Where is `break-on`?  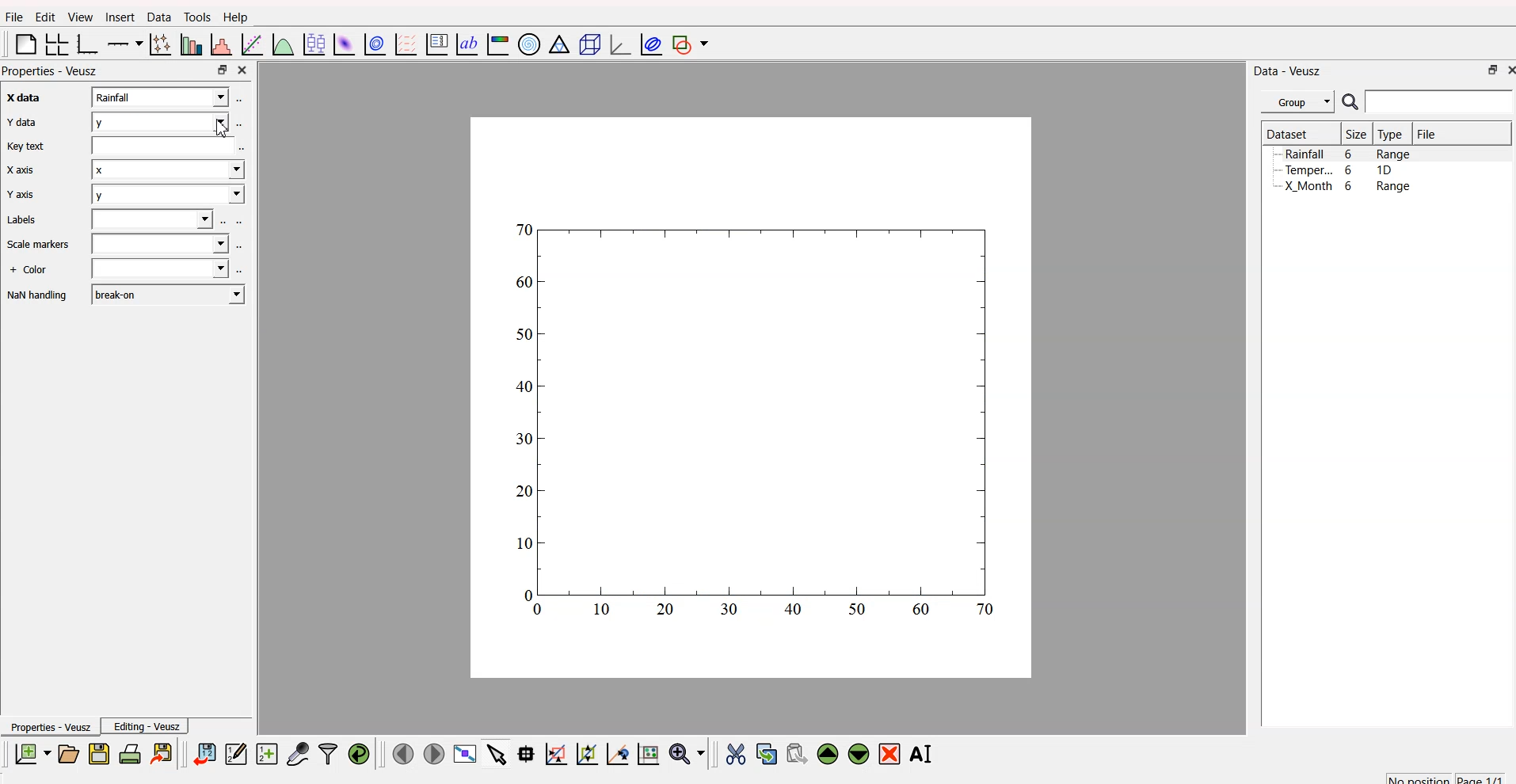
break-on is located at coordinates (168, 293).